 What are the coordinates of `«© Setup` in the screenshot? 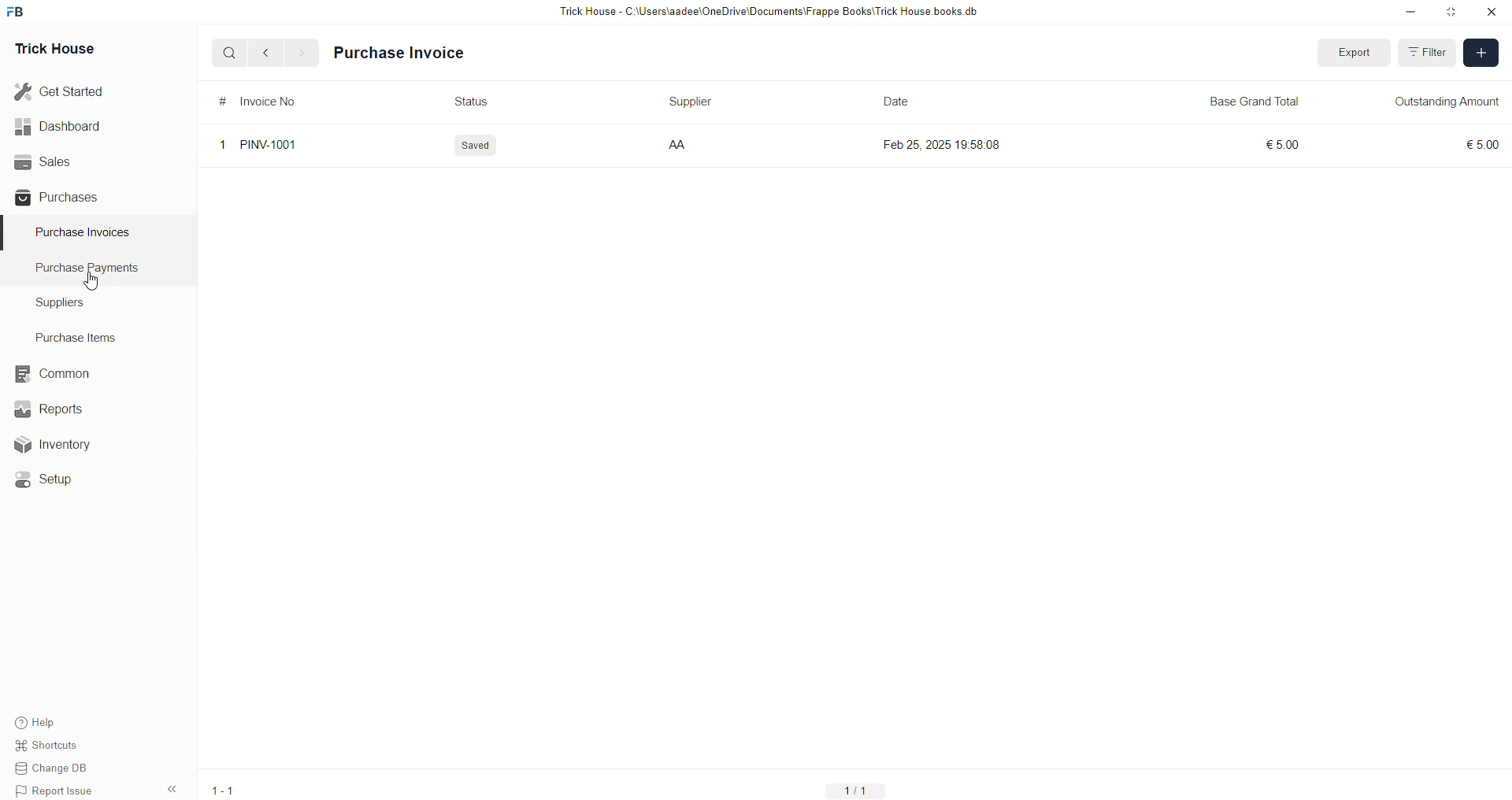 It's located at (49, 480).